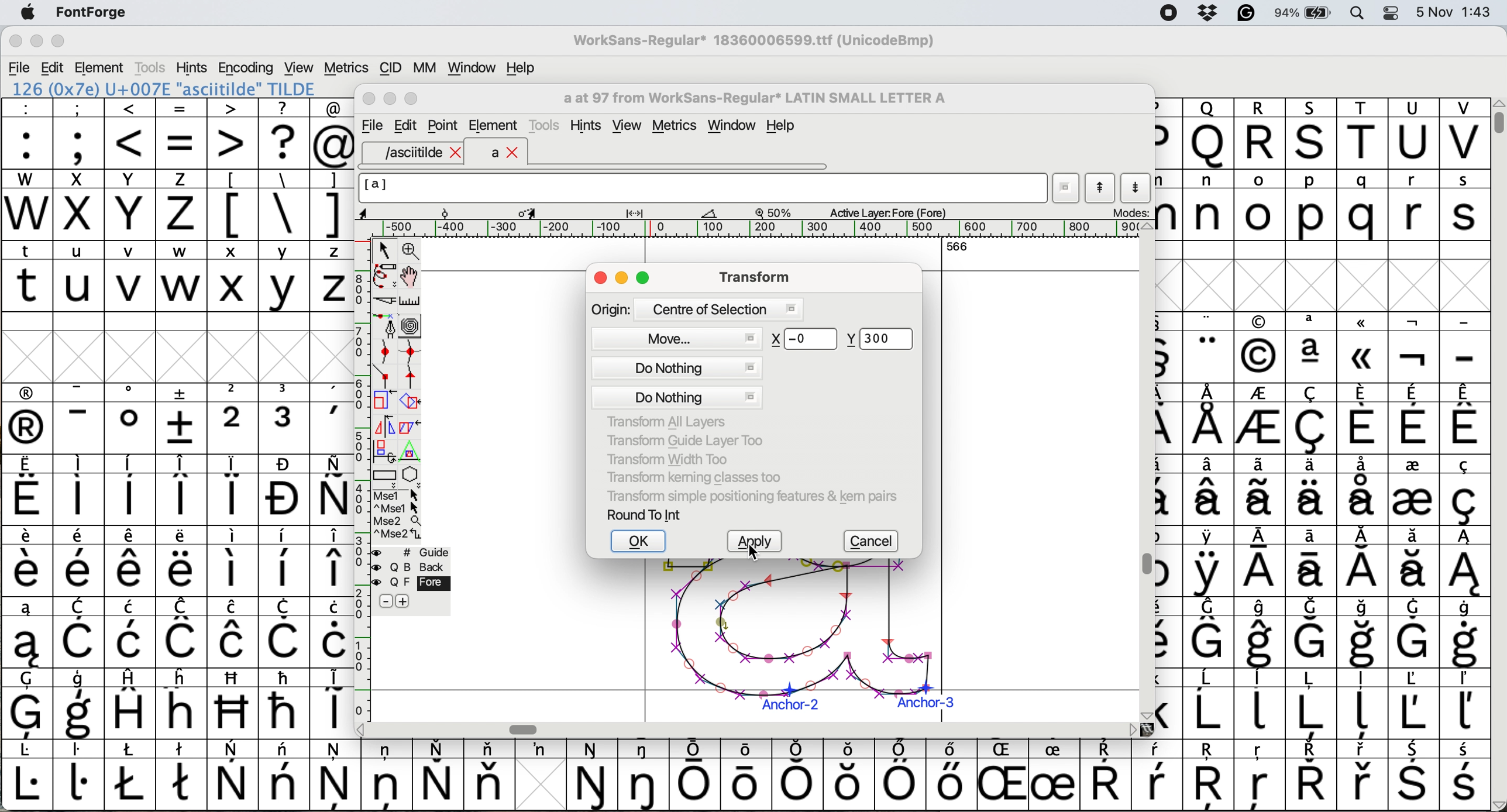  Describe the element at coordinates (1414, 776) in the screenshot. I see `symbol` at that location.